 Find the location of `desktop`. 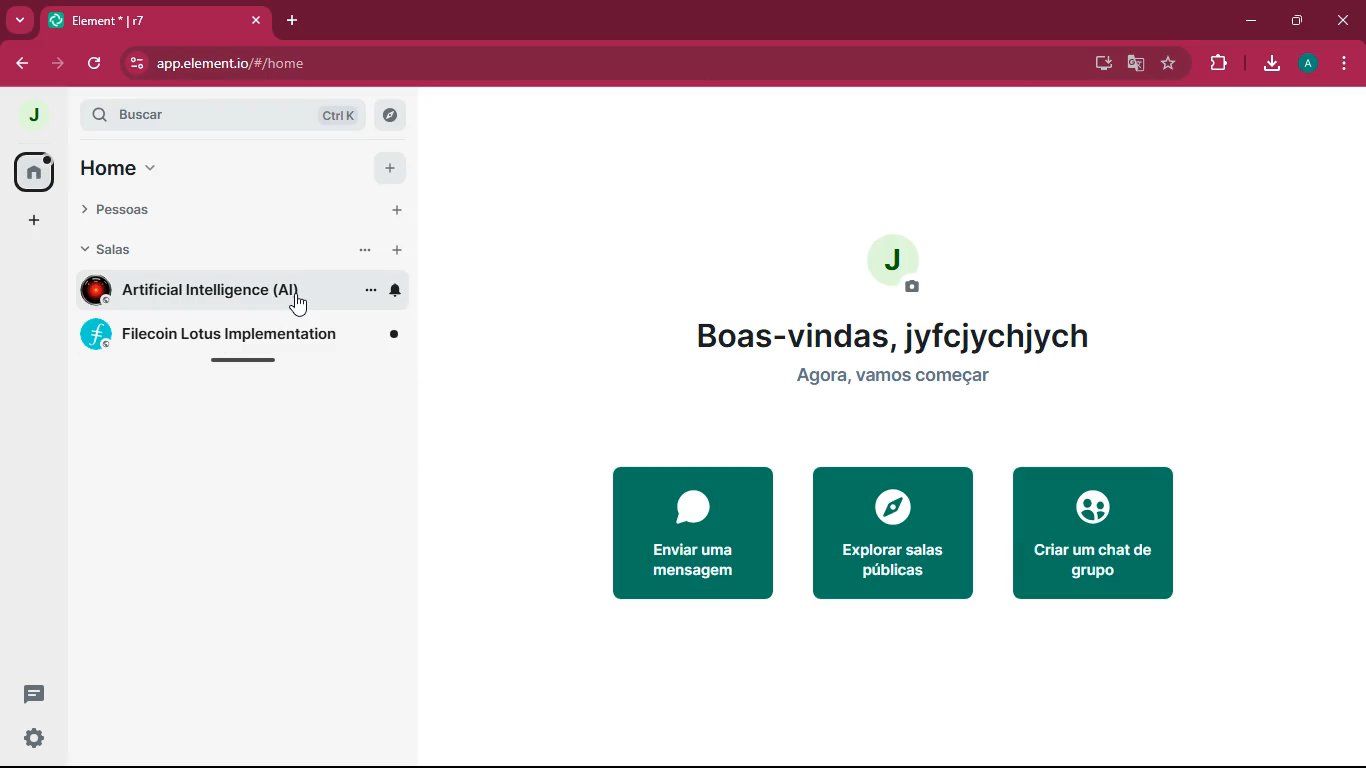

desktop is located at coordinates (1099, 65).